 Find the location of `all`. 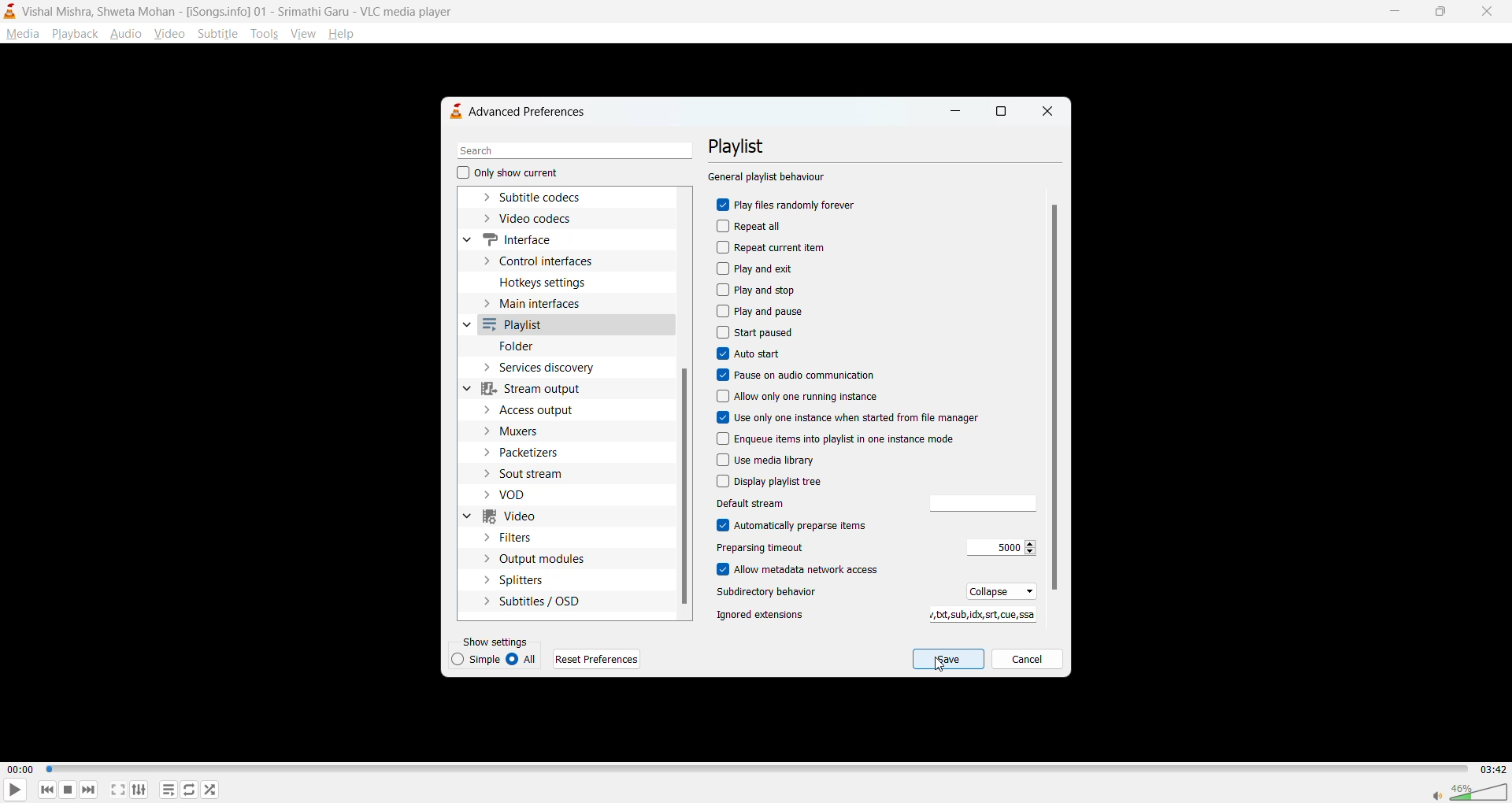

all is located at coordinates (525, 660).